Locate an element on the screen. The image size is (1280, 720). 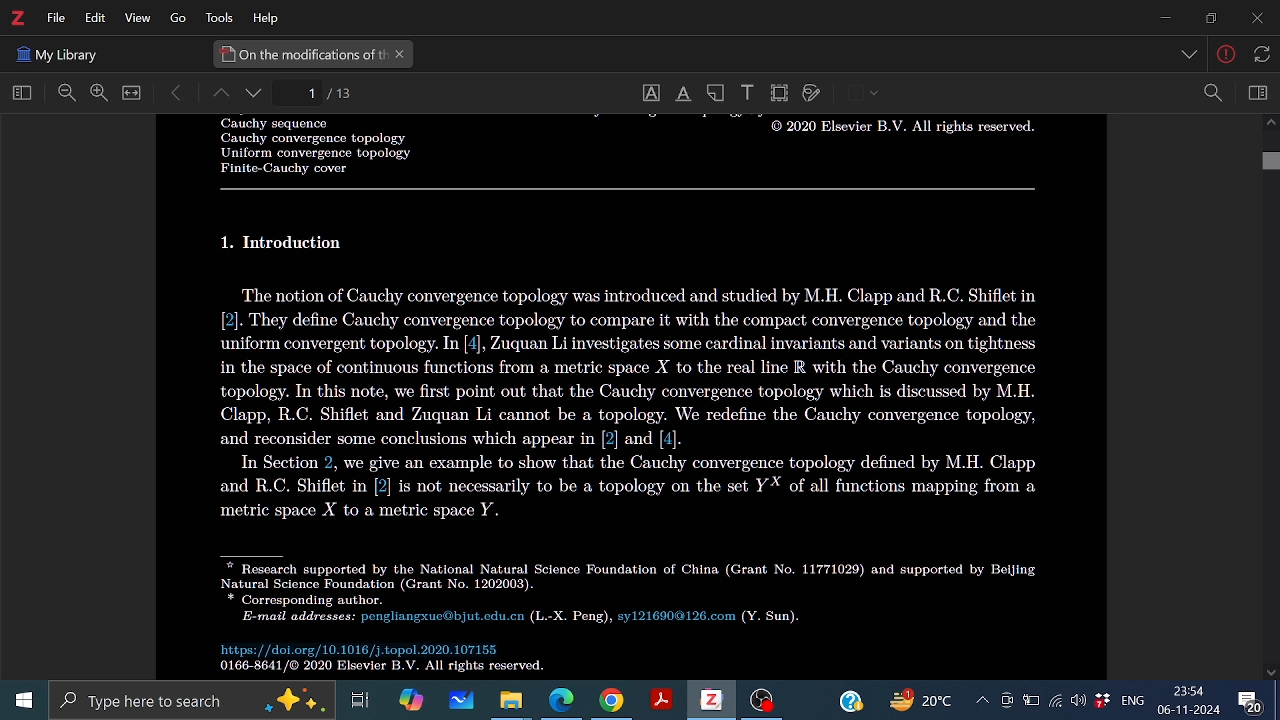
Restore down is located at coordinates (1208, 18).